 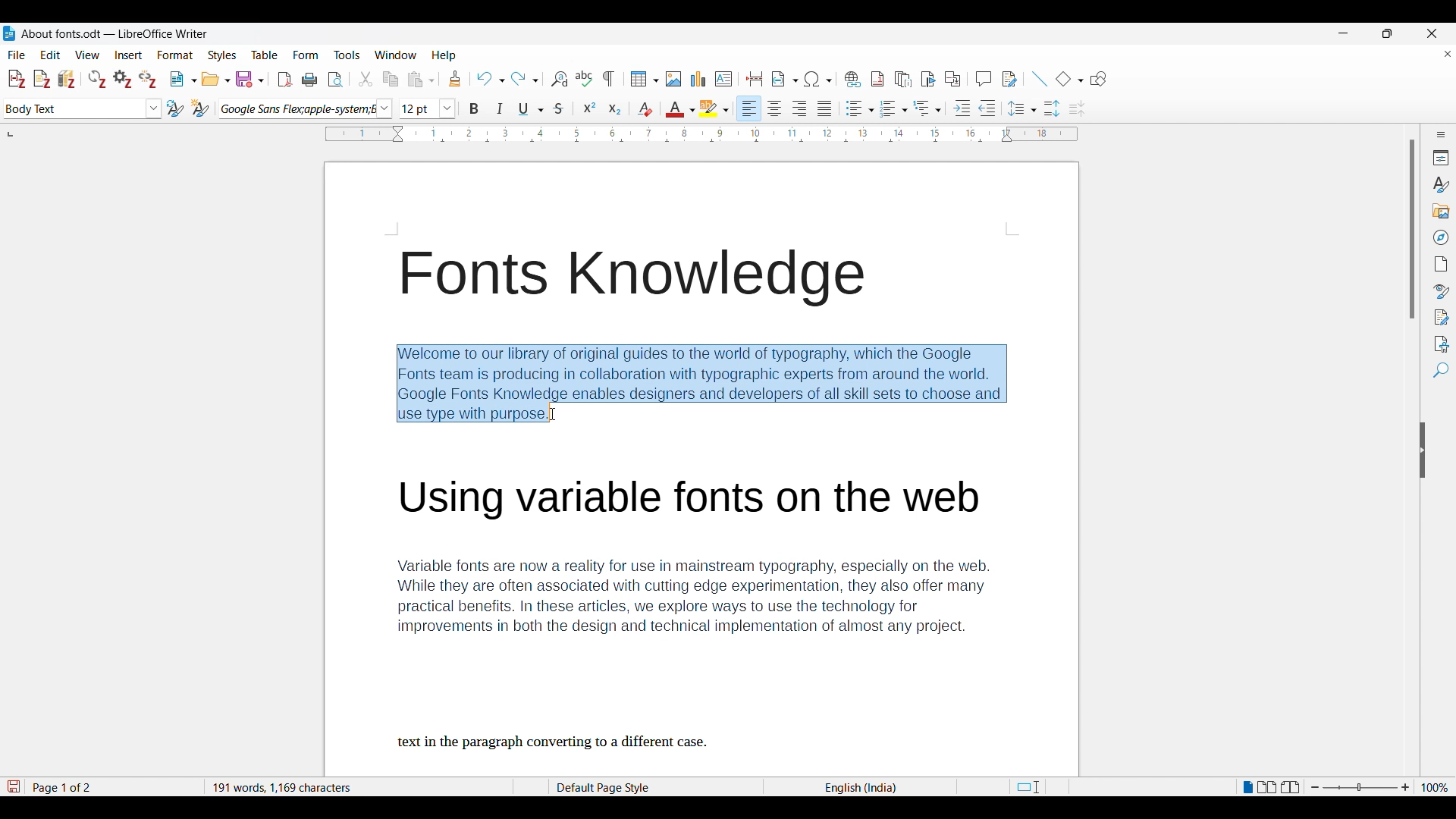 I want to click on Single page view, so click(x=1247, y=787).